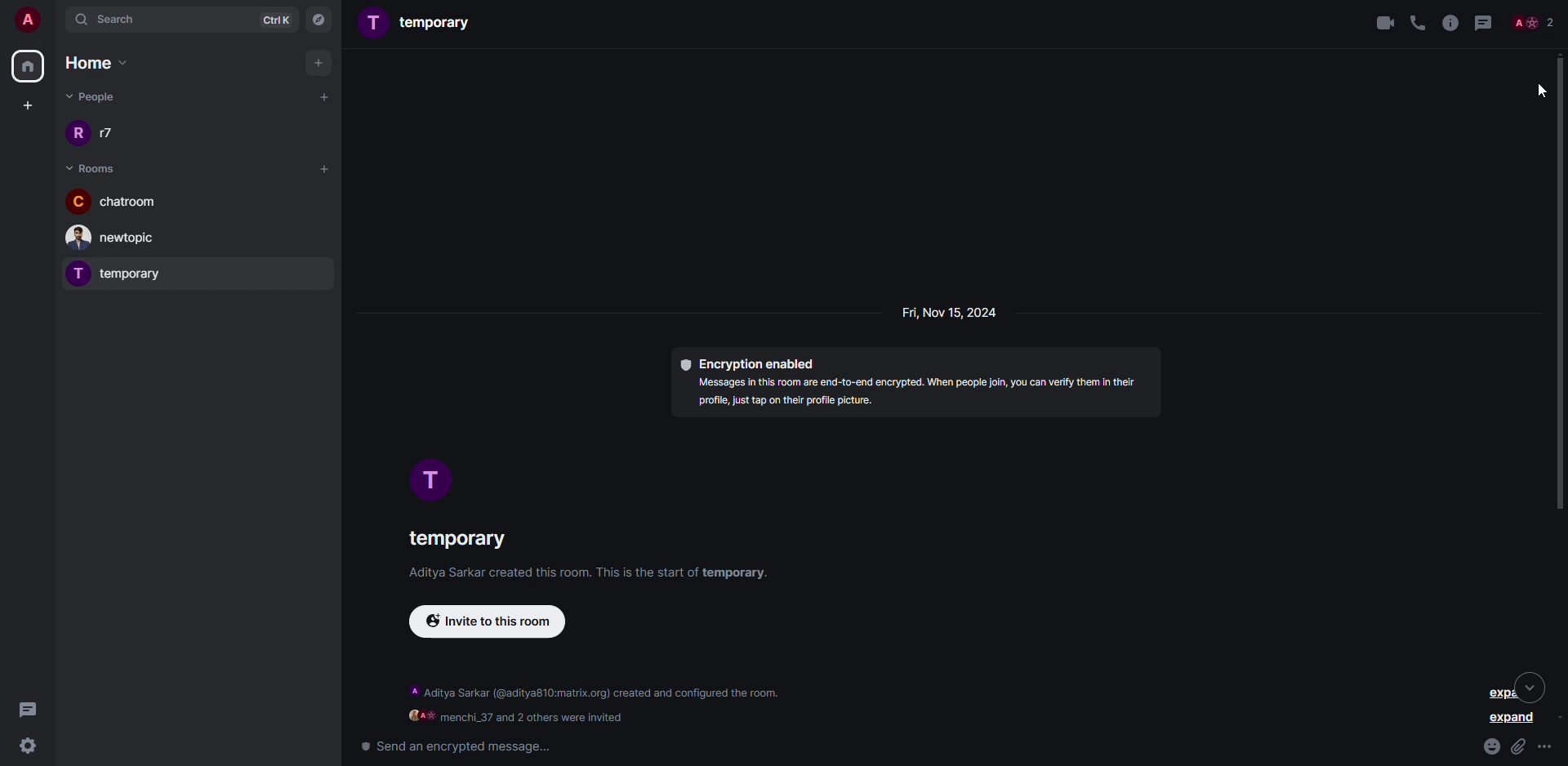 Image resolution: width=1568 pixels, height=766 pixels. What do you see at coordinates (114, 200) in the screenshot?
I see `chatroom` at bounding box center [114, 200].